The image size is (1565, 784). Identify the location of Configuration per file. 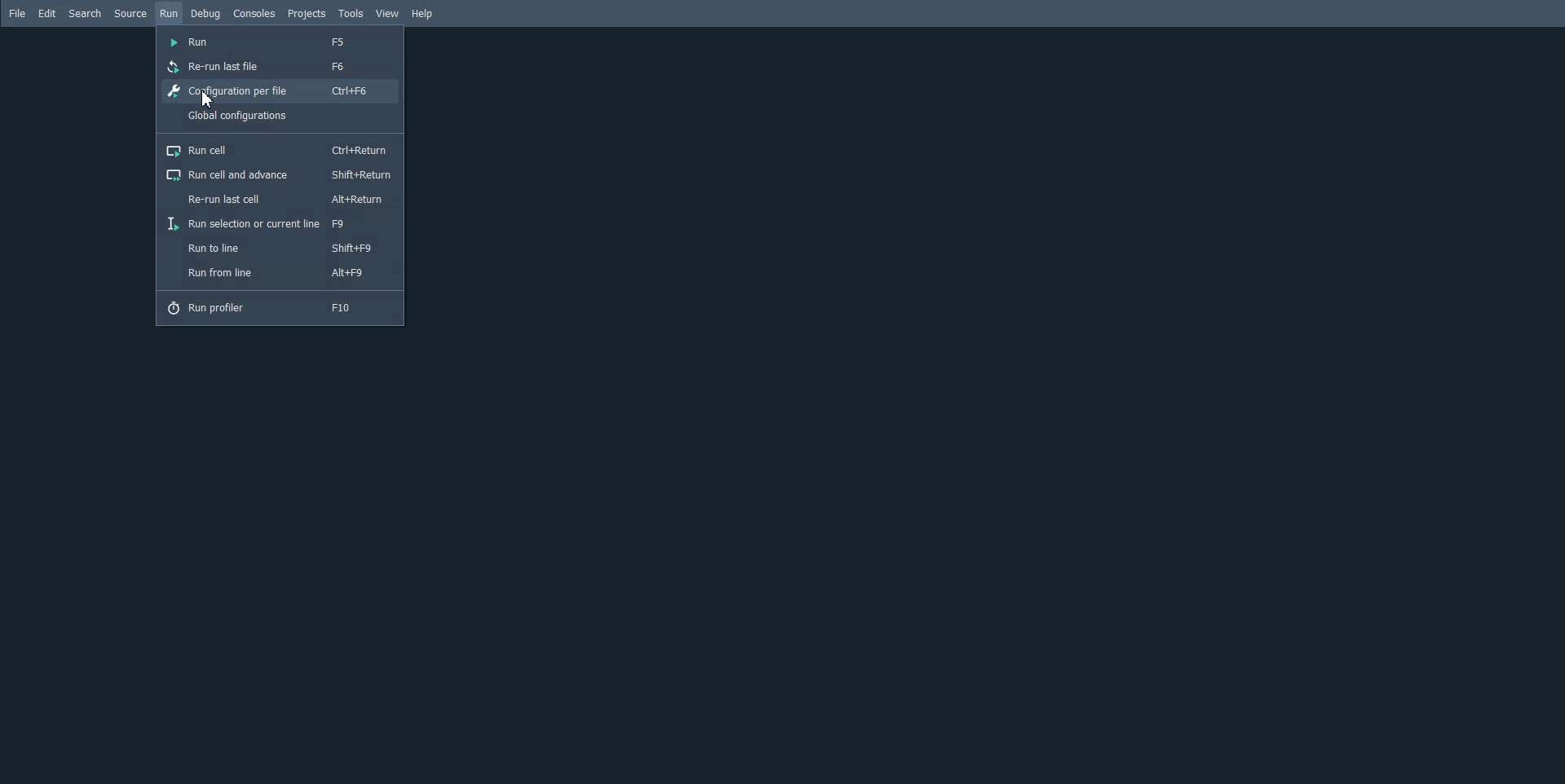
(280, 92).